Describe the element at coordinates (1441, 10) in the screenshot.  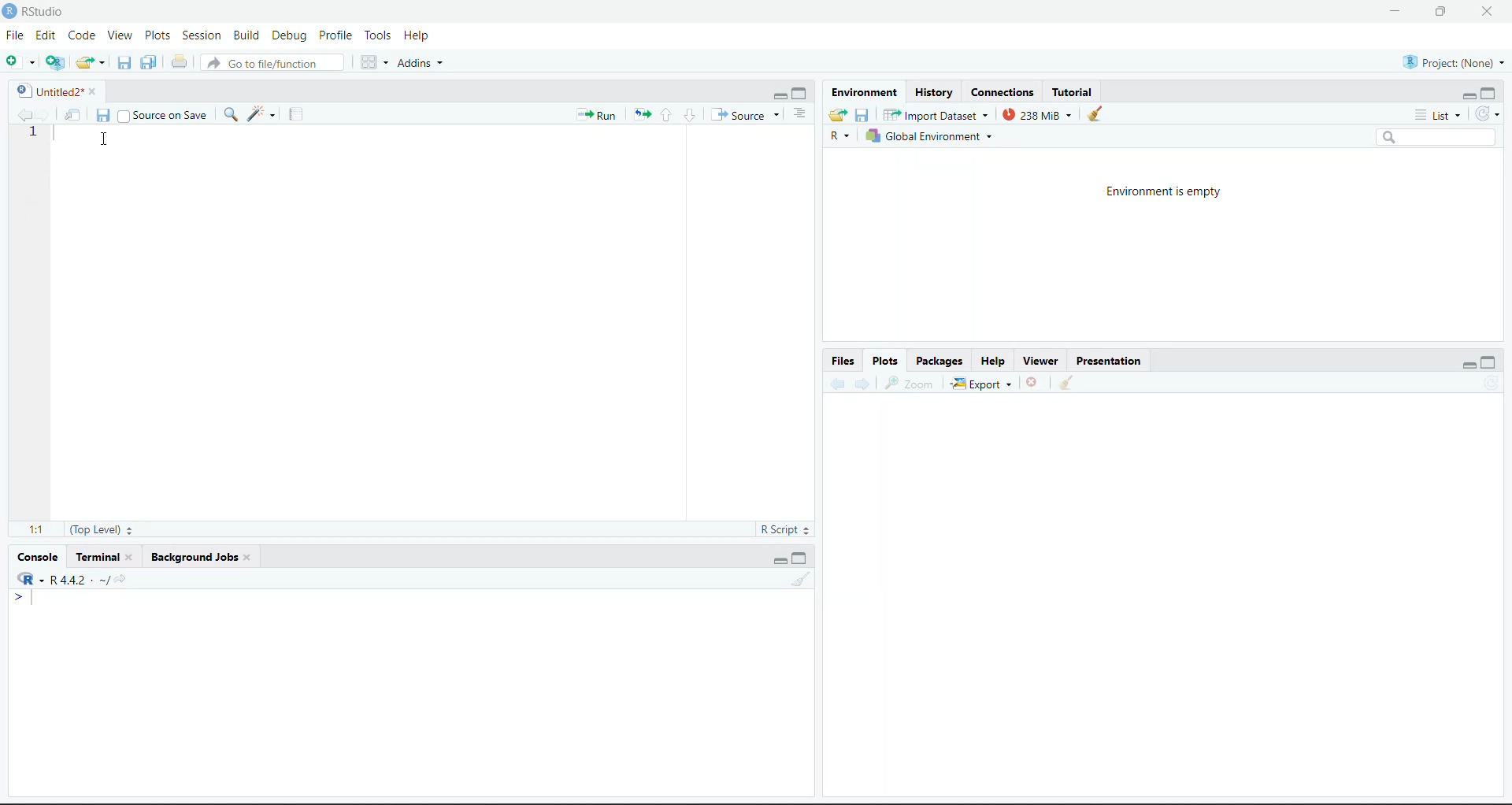
I see `resize` at that location.